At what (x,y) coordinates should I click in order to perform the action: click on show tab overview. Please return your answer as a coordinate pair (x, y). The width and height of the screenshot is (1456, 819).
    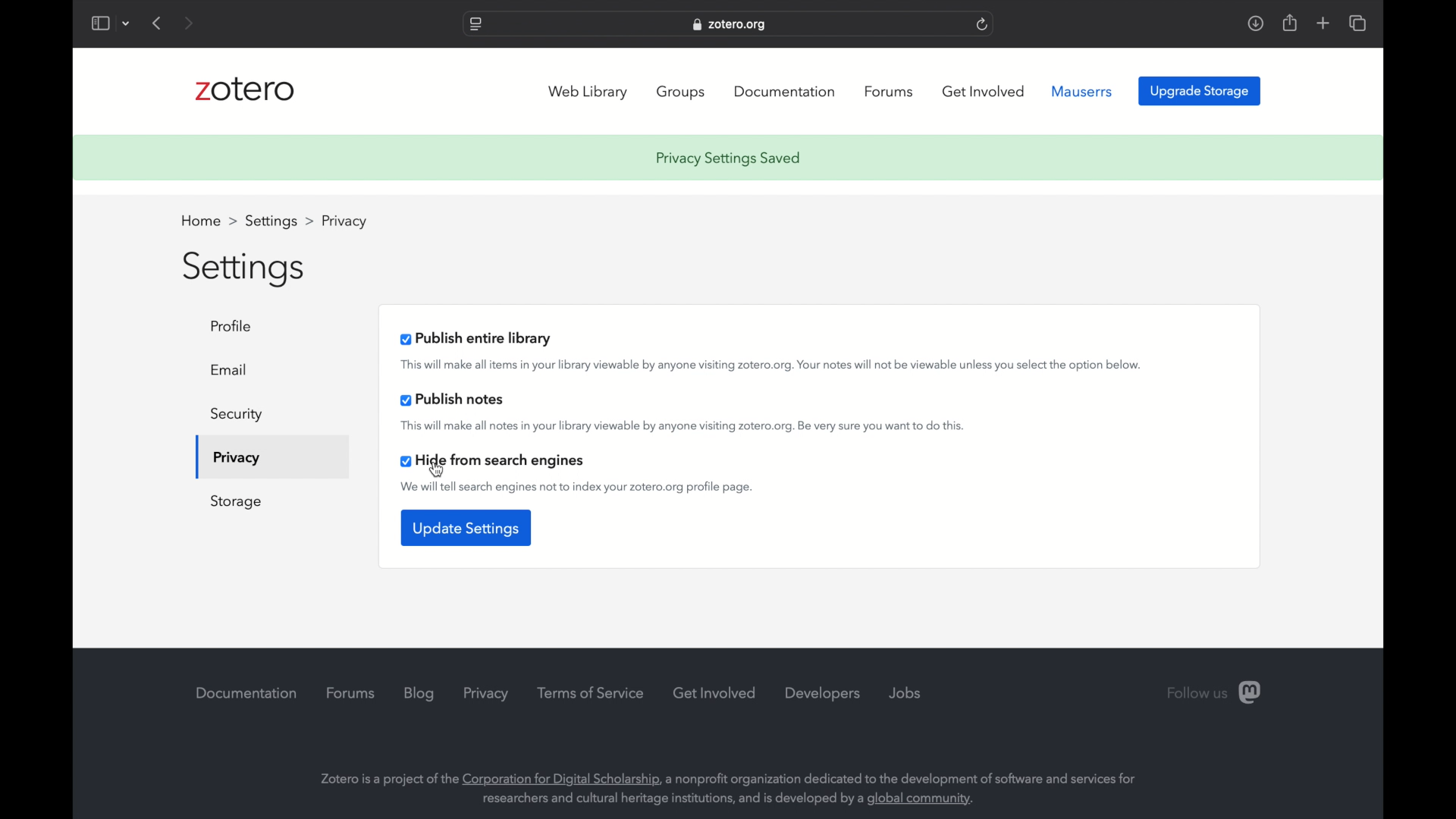
    Looking at the image, I should click on (1357, 23).